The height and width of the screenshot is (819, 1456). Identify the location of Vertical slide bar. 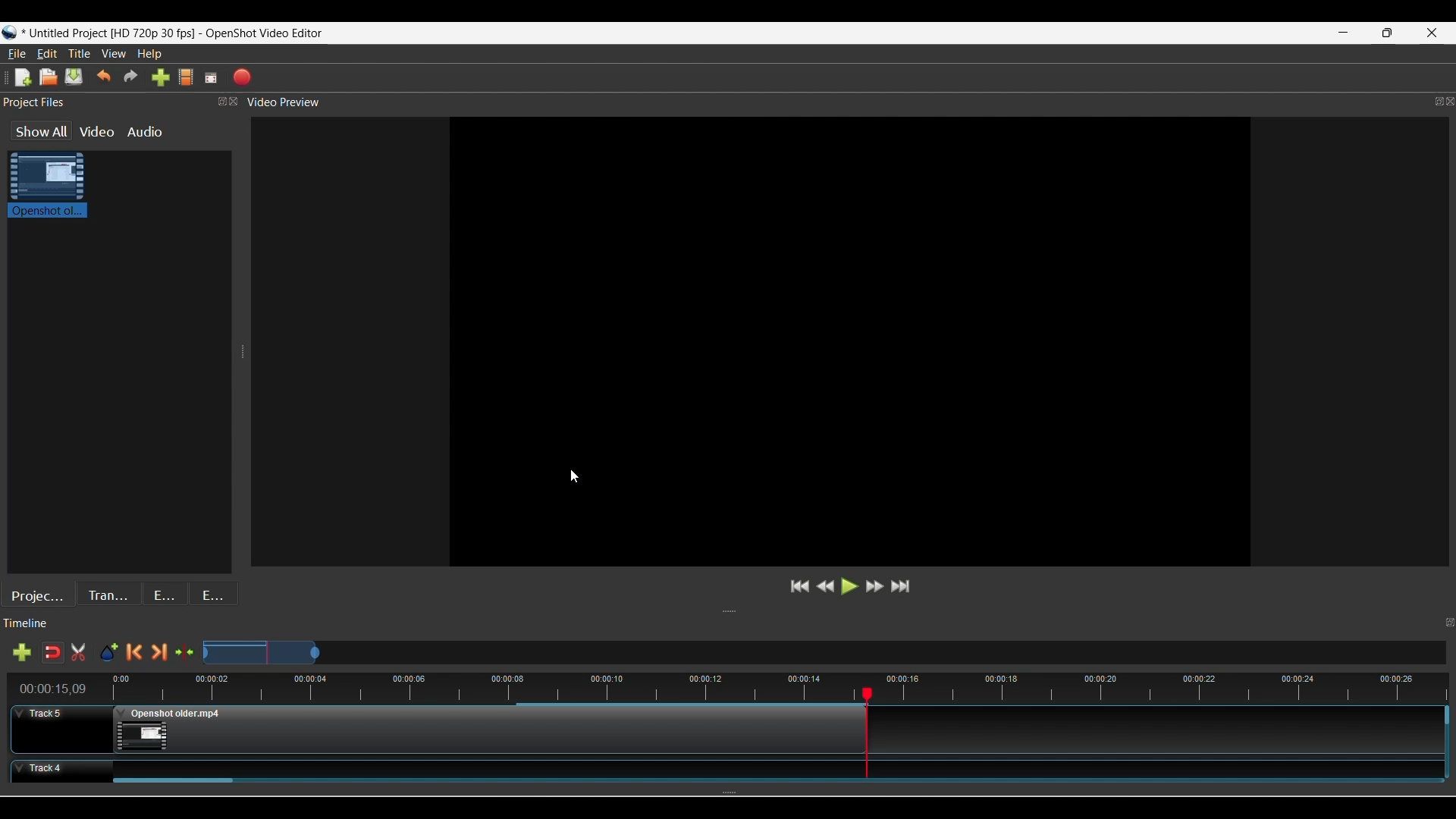
(1448, 714).